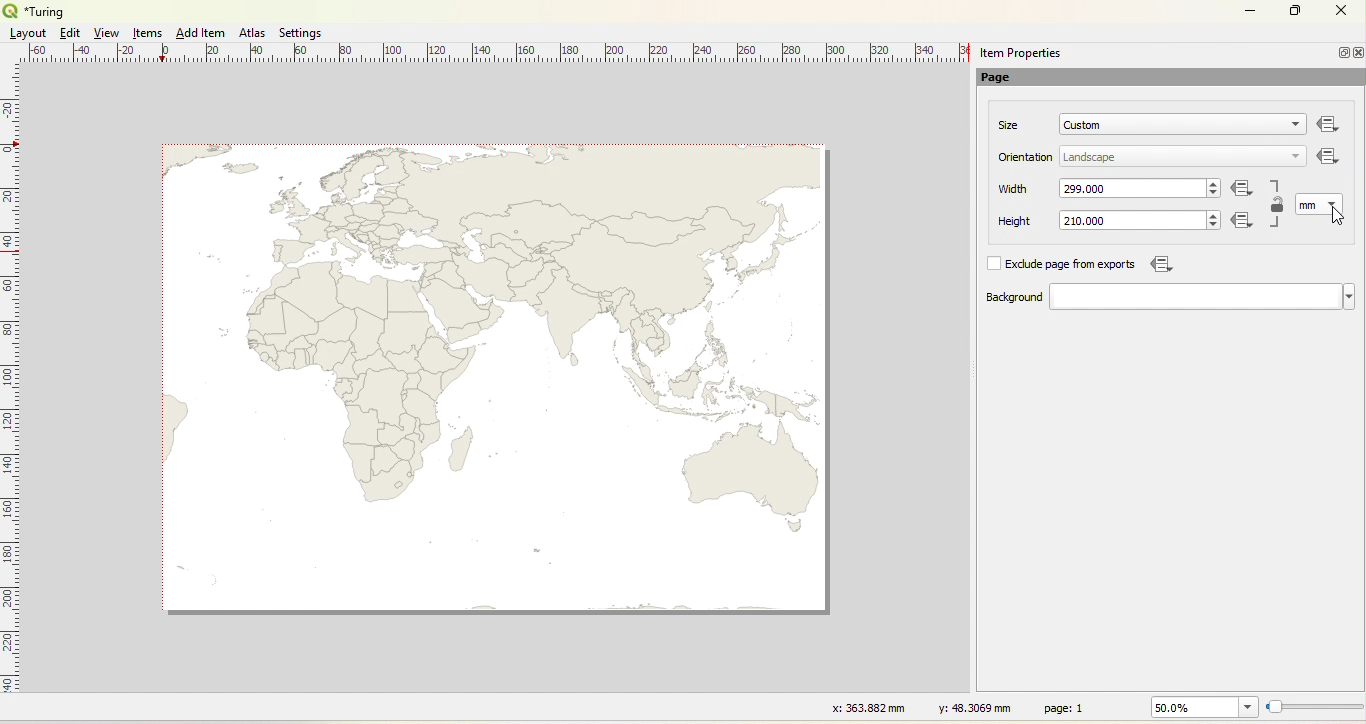 The image size is (1366, 724). Describe the element at coordinates (1010, 125) in the screenshot. I see `Size` at that location.